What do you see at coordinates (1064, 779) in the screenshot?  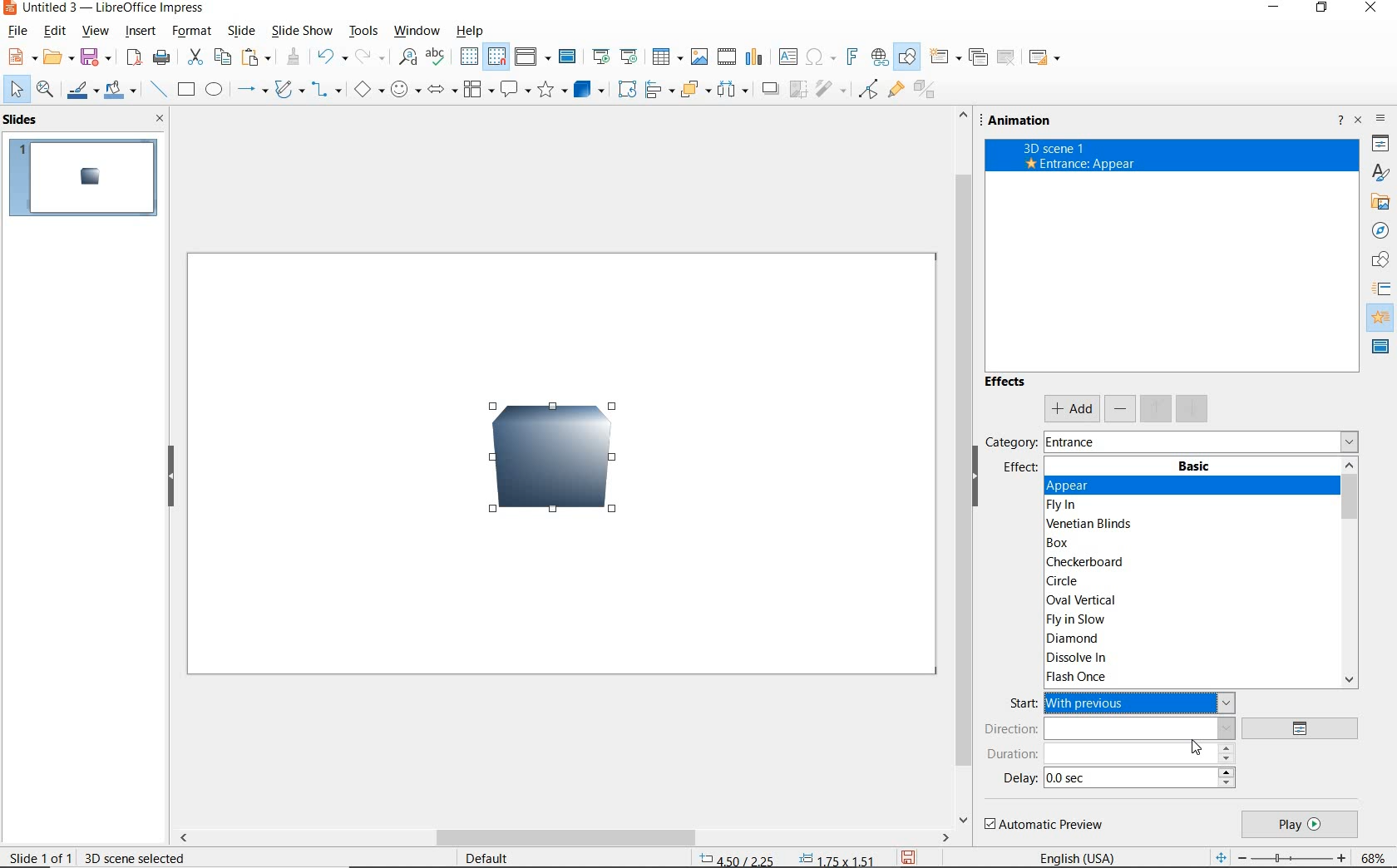 I see `0.0 sec` at bounding box center [1064, 779].